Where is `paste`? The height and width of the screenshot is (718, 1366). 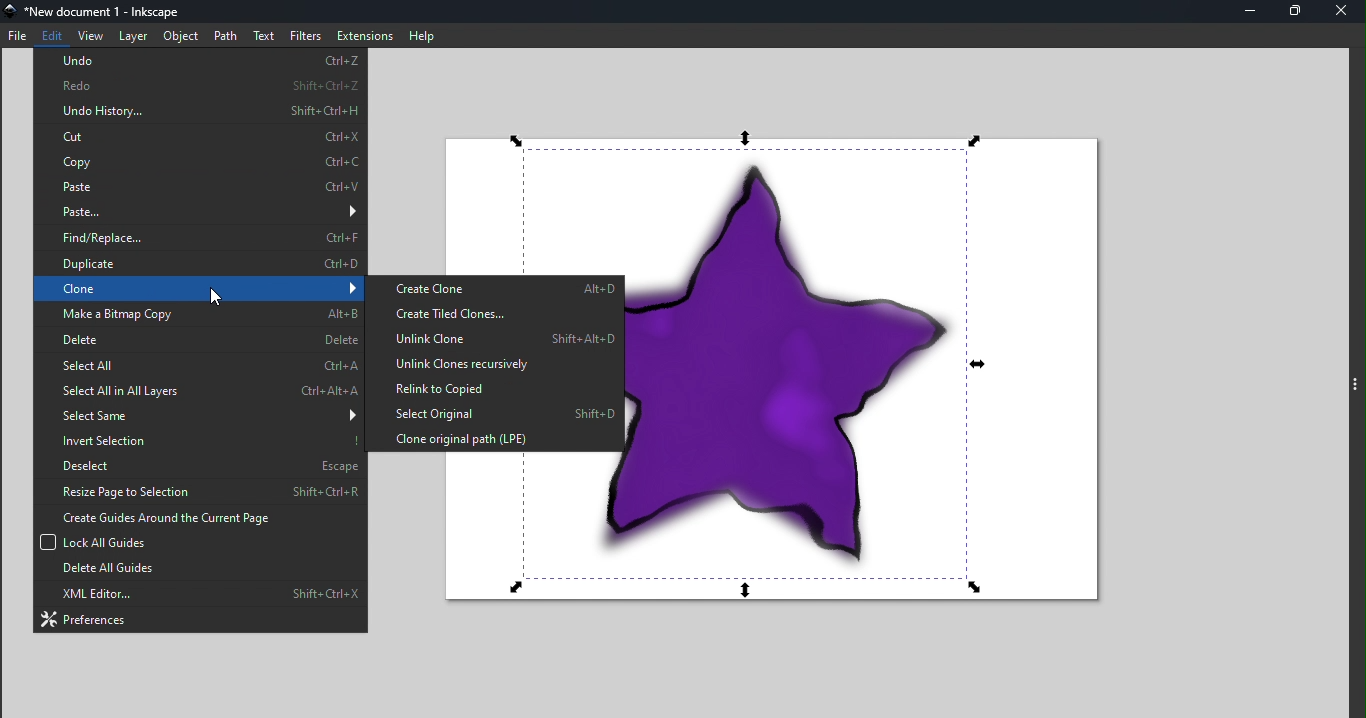
paste is located at coordinates (200, 211).